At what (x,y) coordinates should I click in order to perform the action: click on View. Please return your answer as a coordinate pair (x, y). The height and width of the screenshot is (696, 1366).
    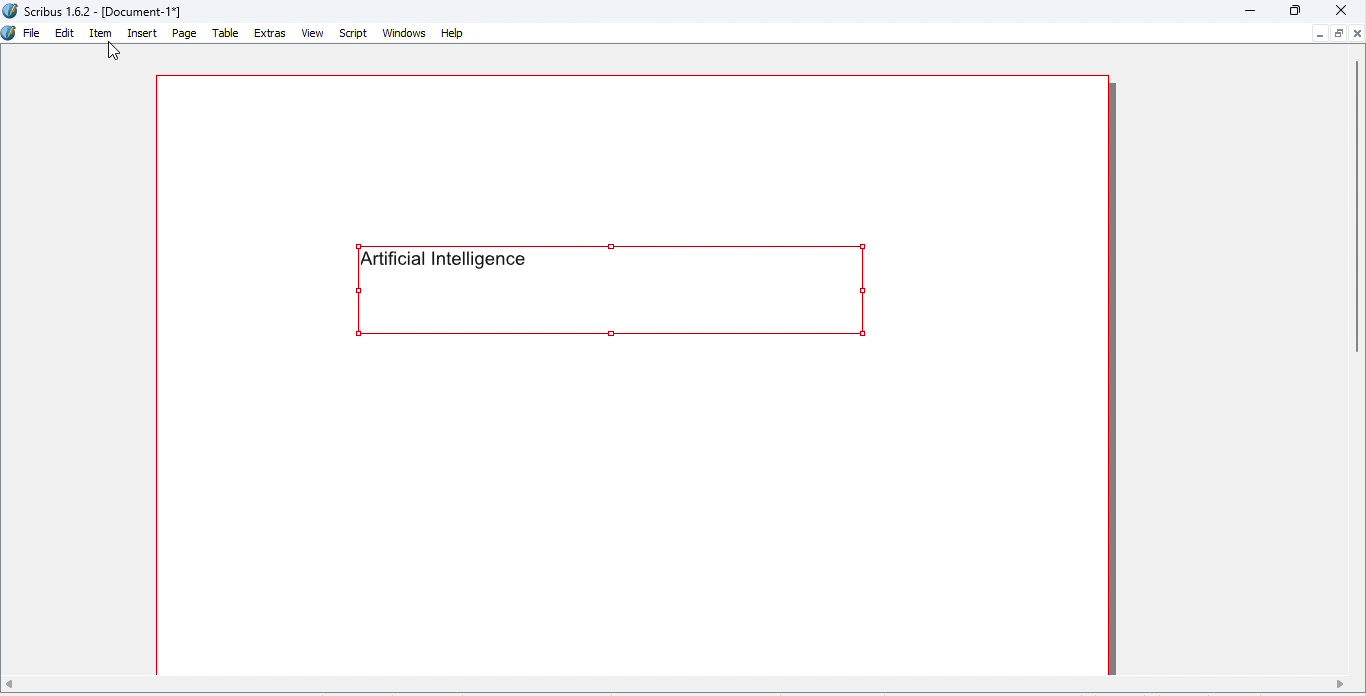
    Looking at the image, I should click on (315, 33).